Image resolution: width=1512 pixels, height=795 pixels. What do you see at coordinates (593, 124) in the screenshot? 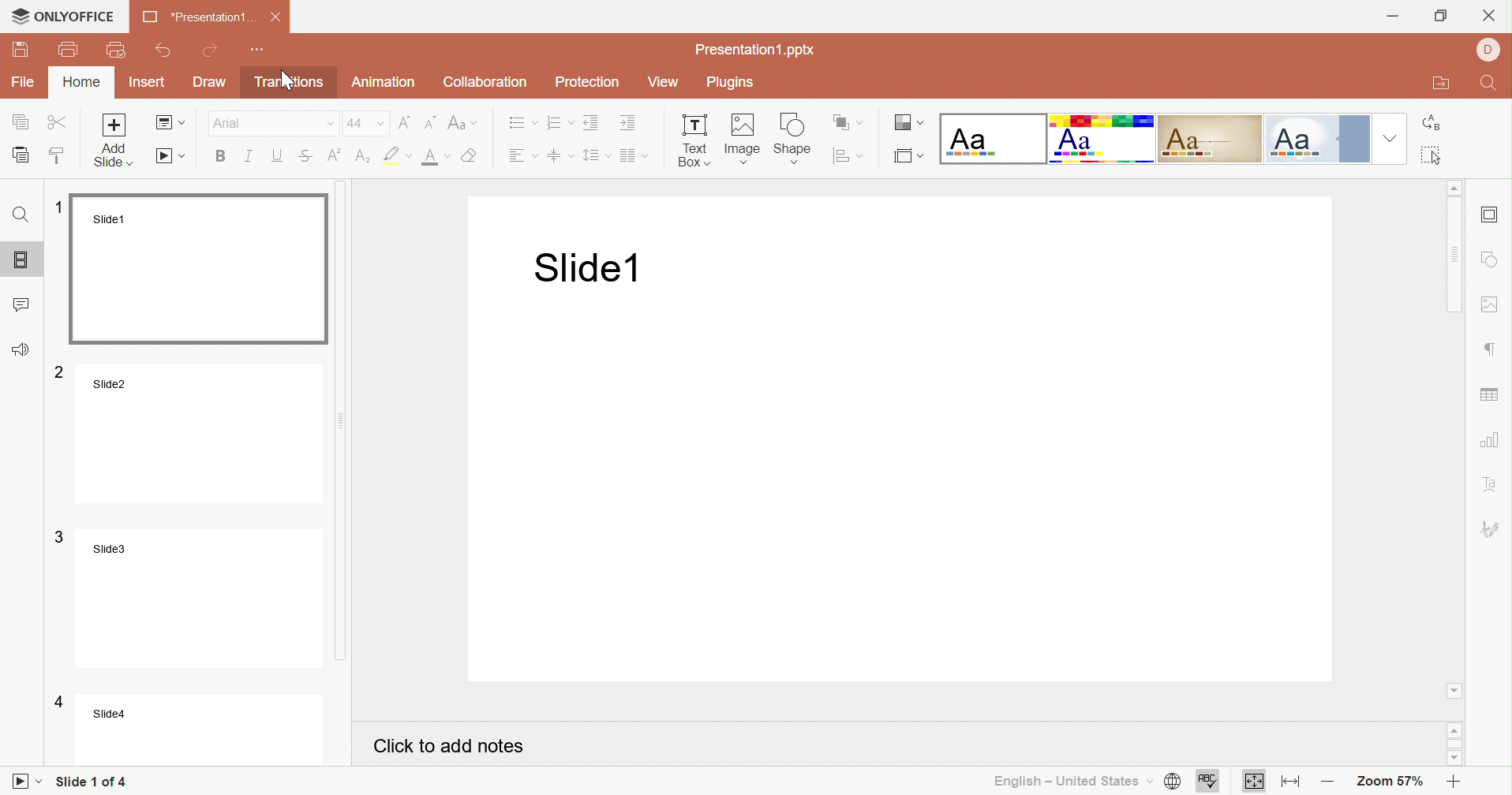
I see `Decrease indent` at bounding box center [593, 124].